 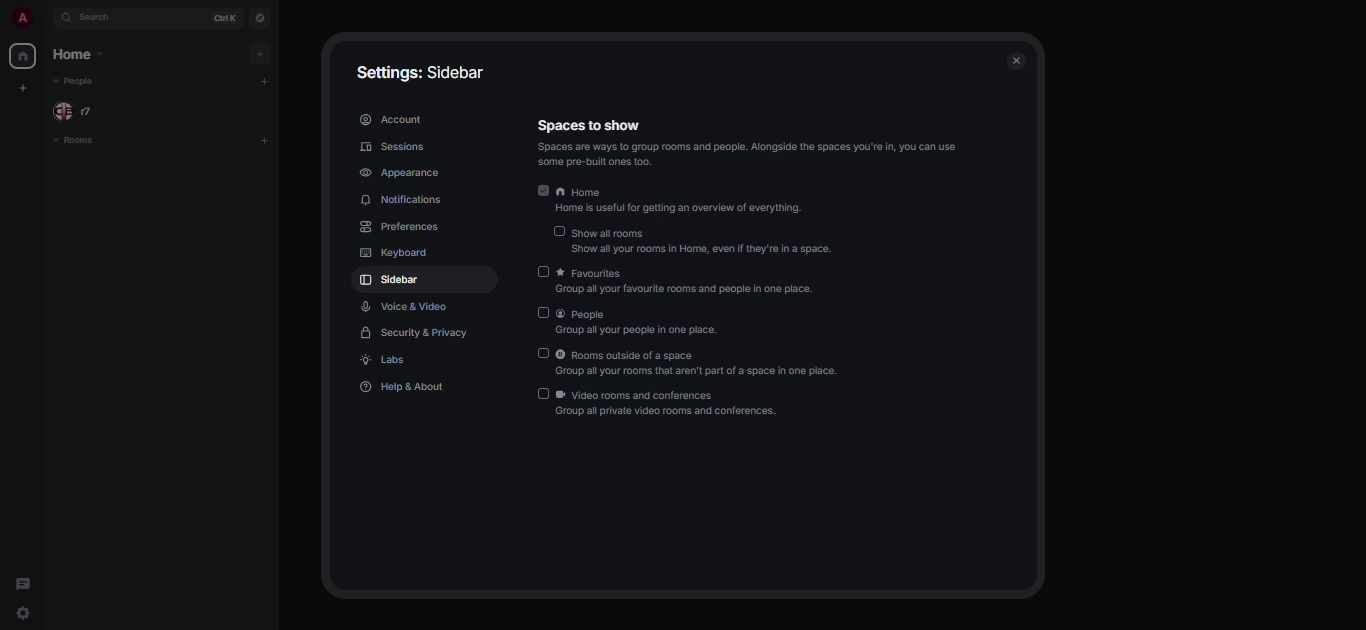 I want to click on Group all your people in one place., so click(x=651, y=332).